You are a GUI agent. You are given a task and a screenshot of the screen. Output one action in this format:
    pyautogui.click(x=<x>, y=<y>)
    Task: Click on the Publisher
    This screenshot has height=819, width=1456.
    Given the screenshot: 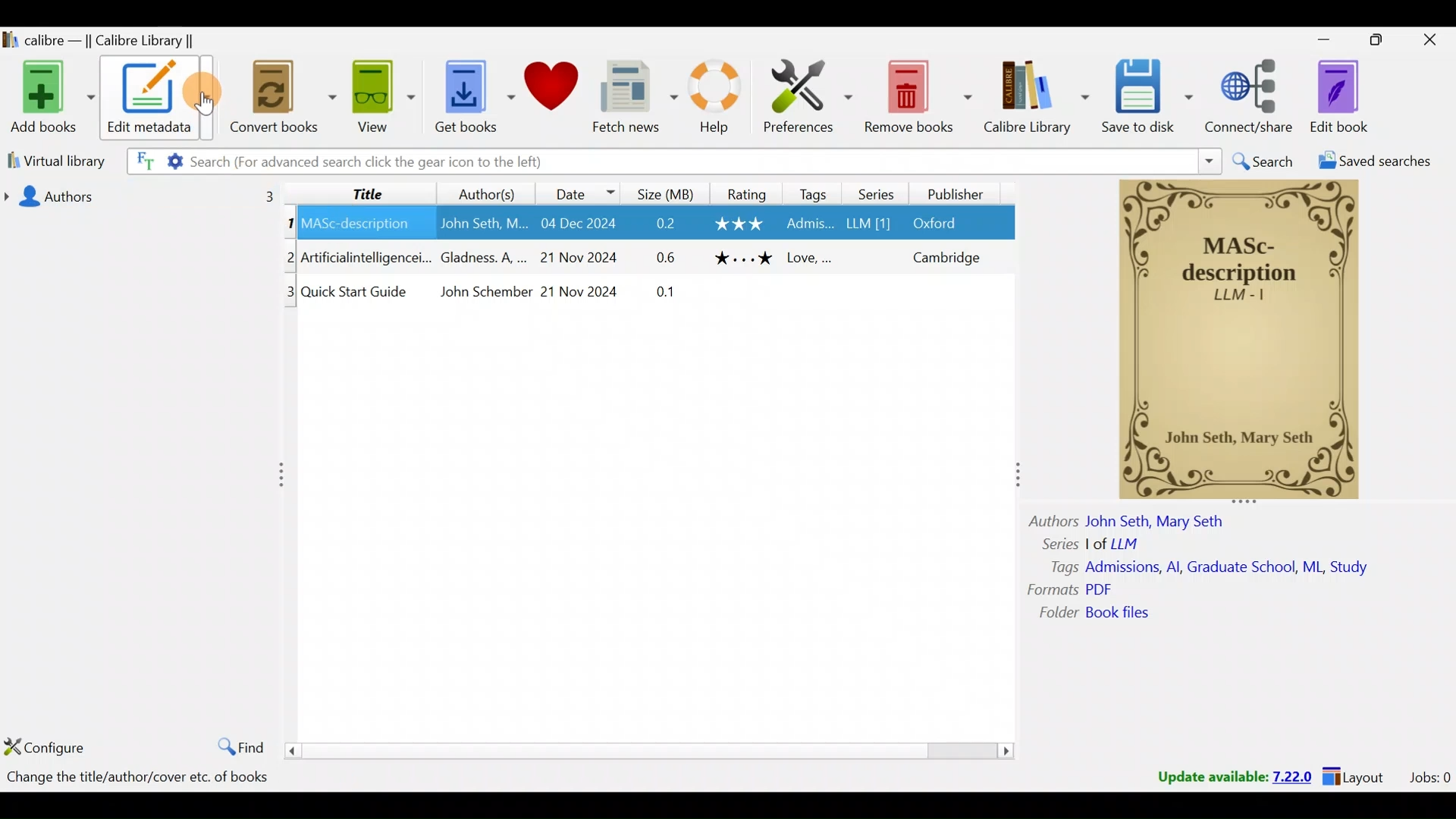 What is the action you would take?
    pyautogui.click(x=962, y=192)
    